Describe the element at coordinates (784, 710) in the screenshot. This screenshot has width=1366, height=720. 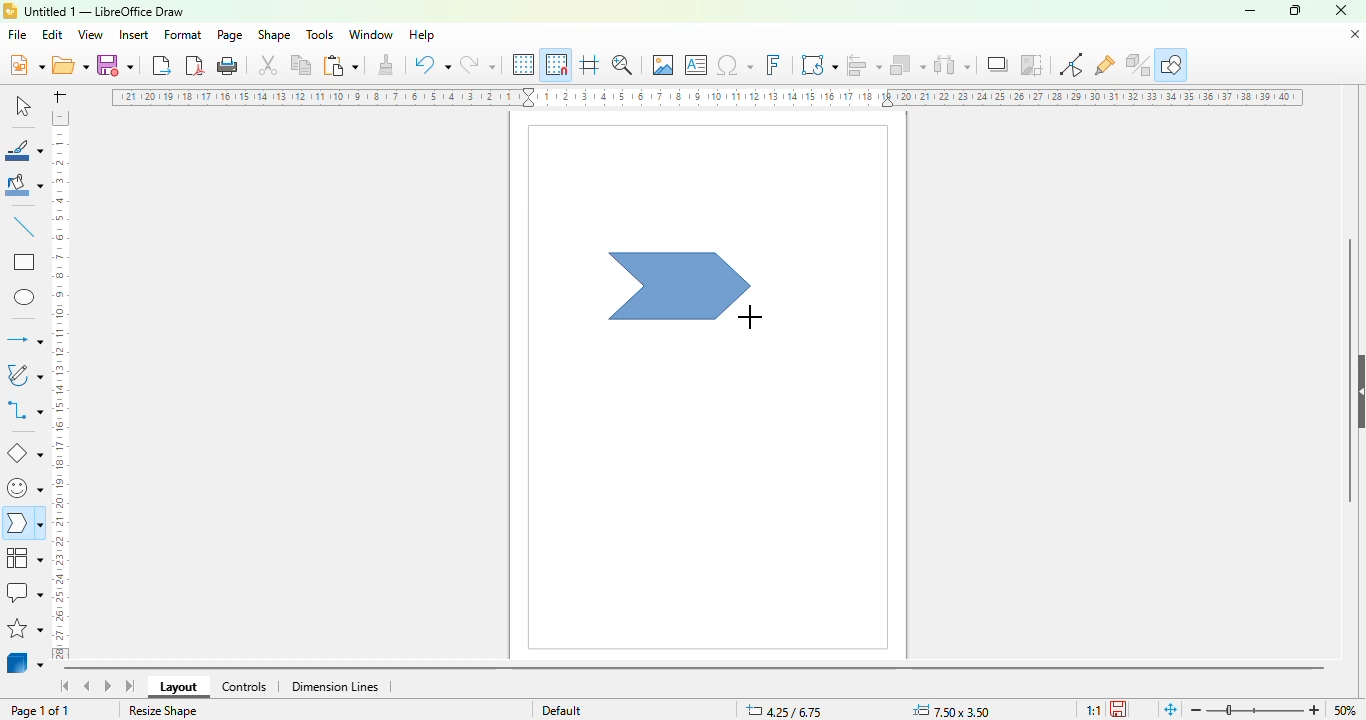
I see `change in X&Y coordinates` at that location.